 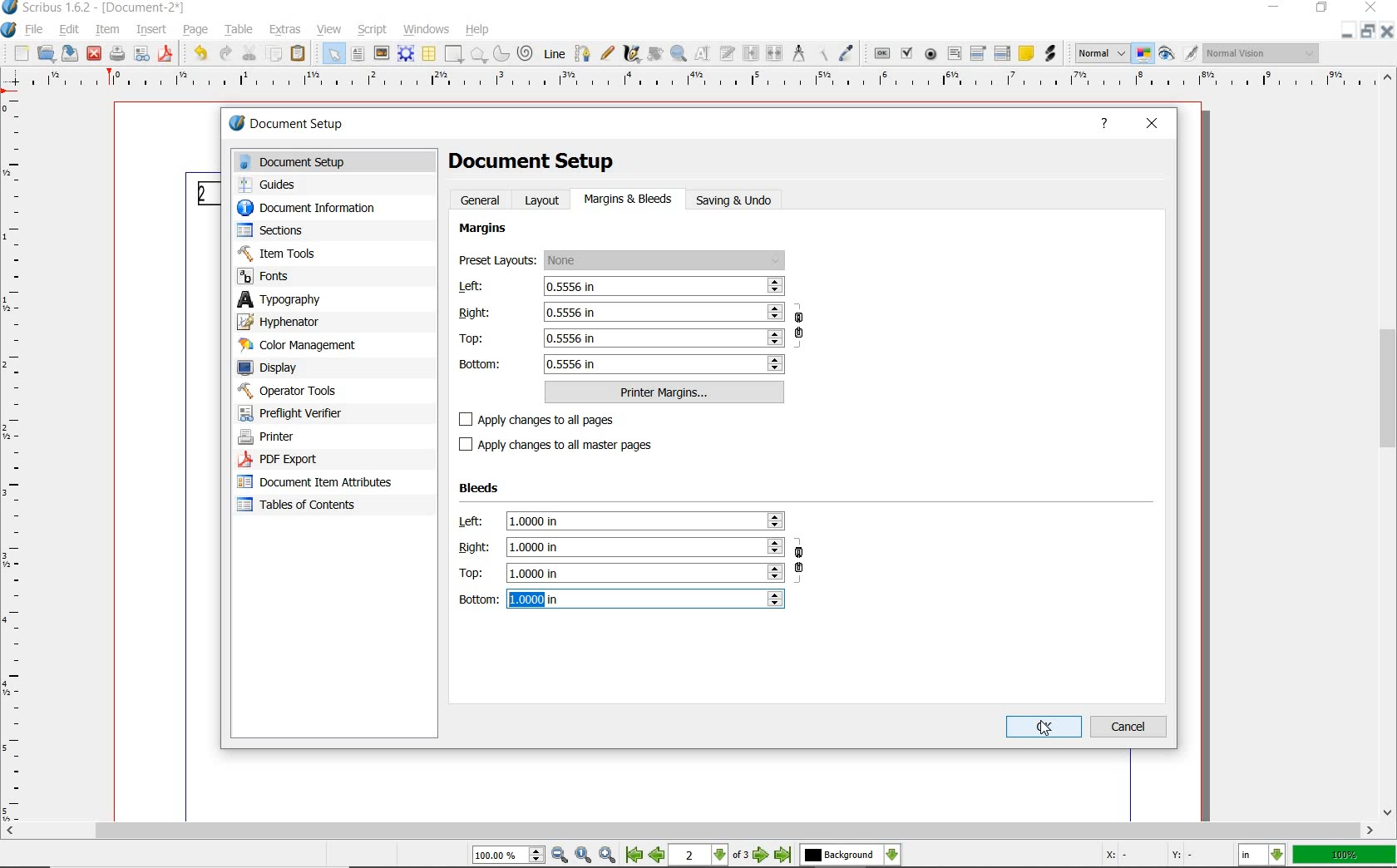 I want to click on shape, so click(x=452, y=55).